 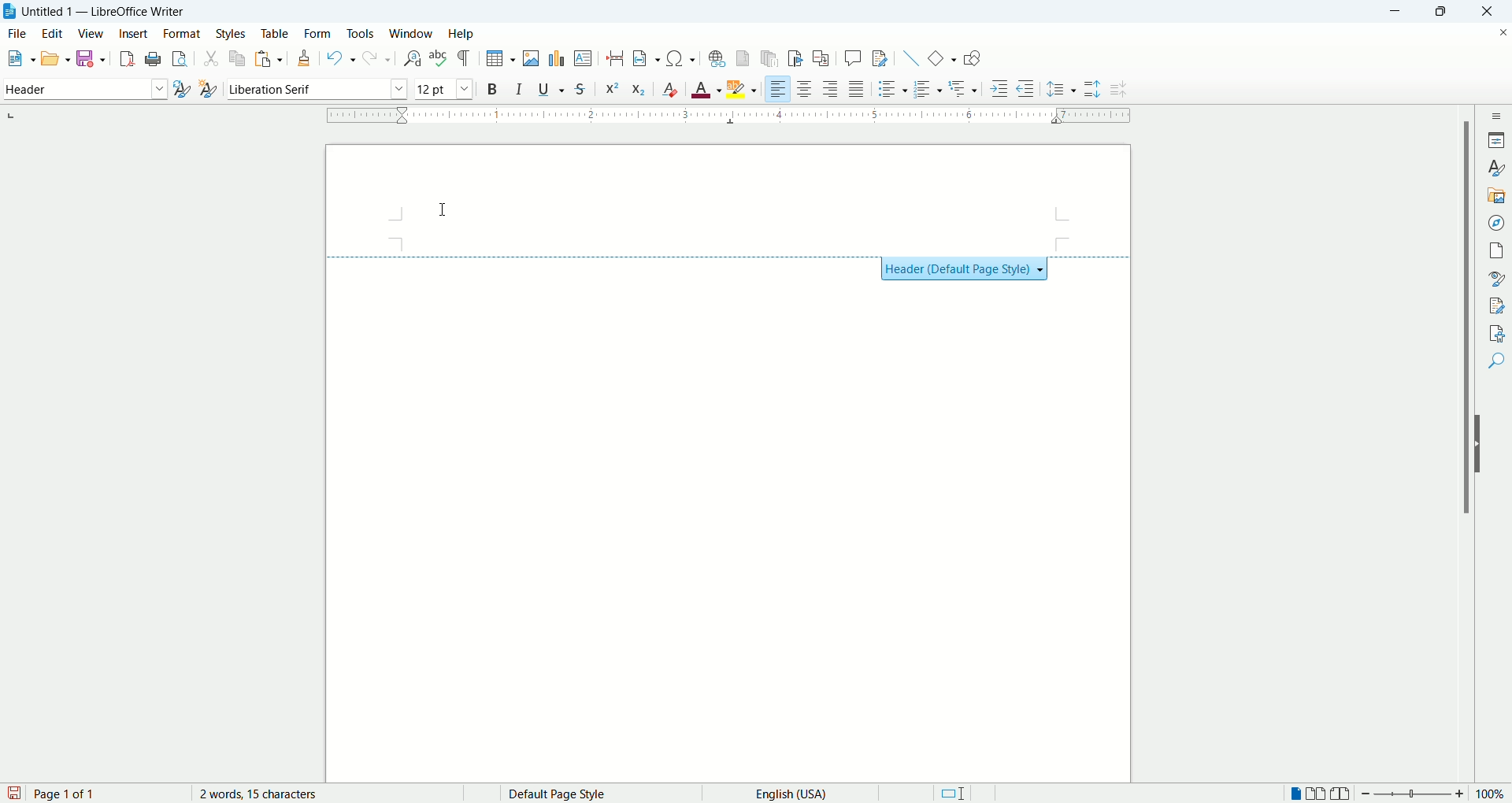 What do you see at coordinates (50, 35) in the screenshot?
I see `edit` at bounding box center [50, 35].